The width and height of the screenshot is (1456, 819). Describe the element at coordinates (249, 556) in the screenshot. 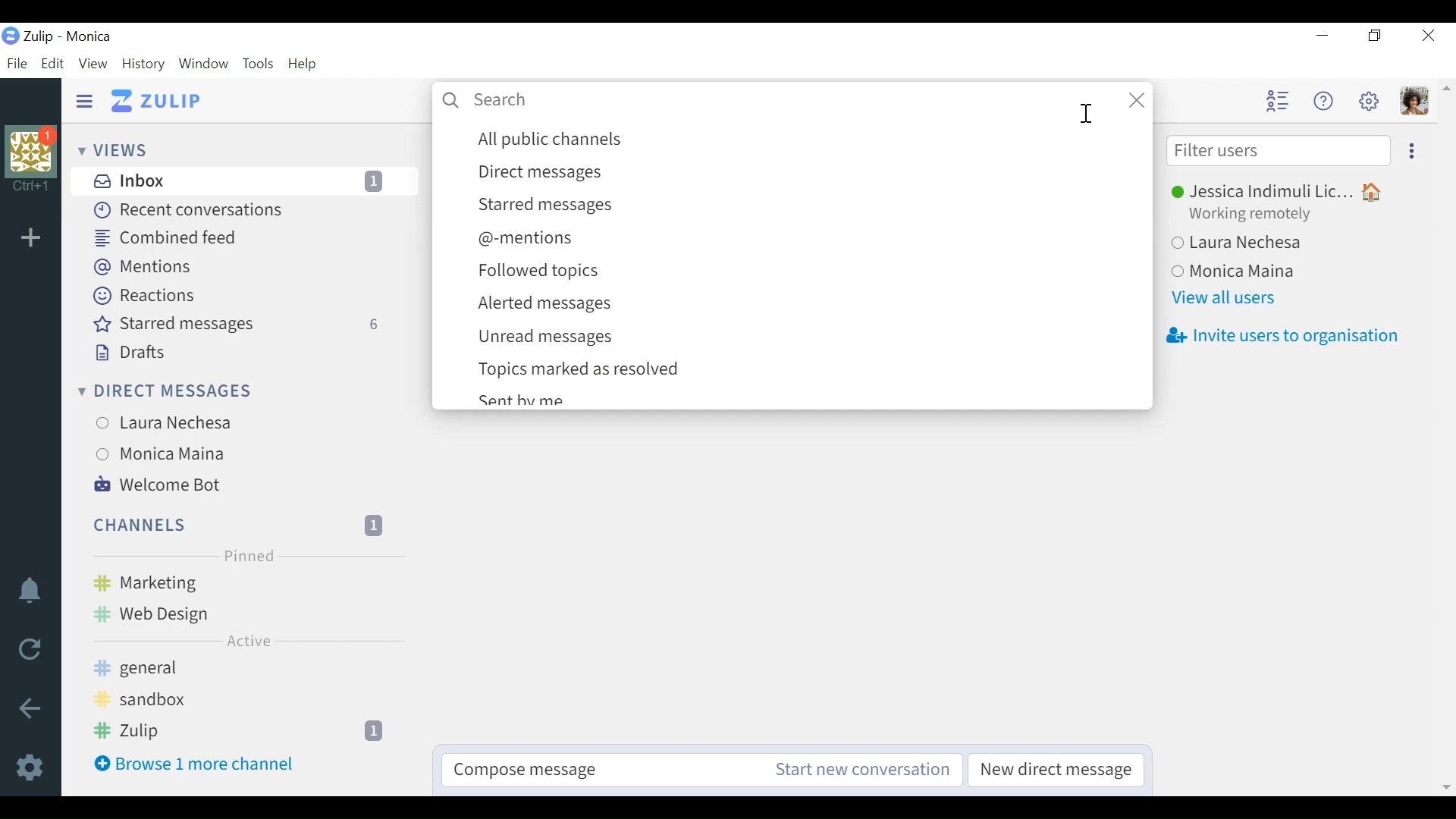

I see `Pinned` at that location.